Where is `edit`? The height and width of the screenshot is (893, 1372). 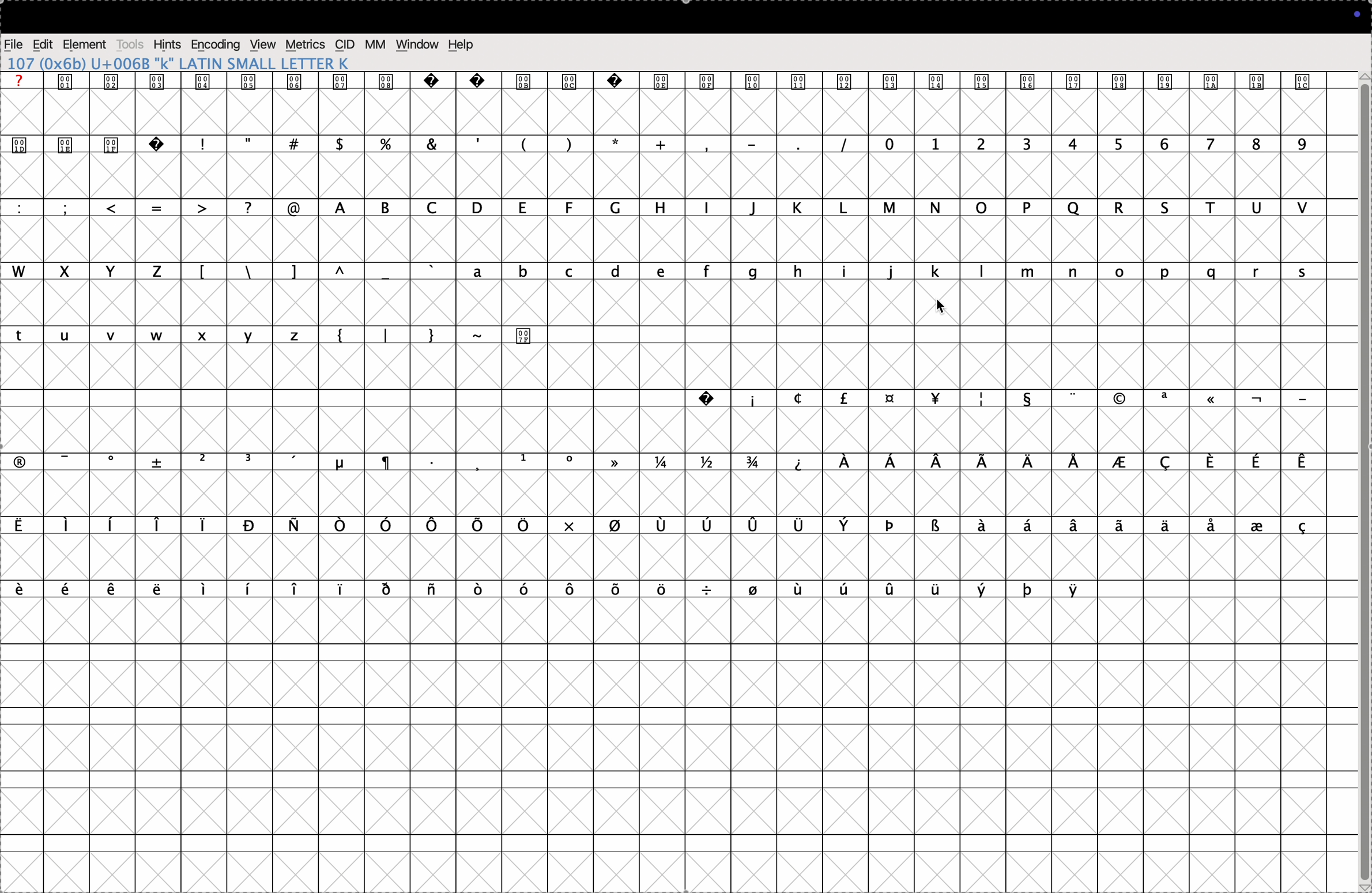
edit is located at coordinates (43, 43).